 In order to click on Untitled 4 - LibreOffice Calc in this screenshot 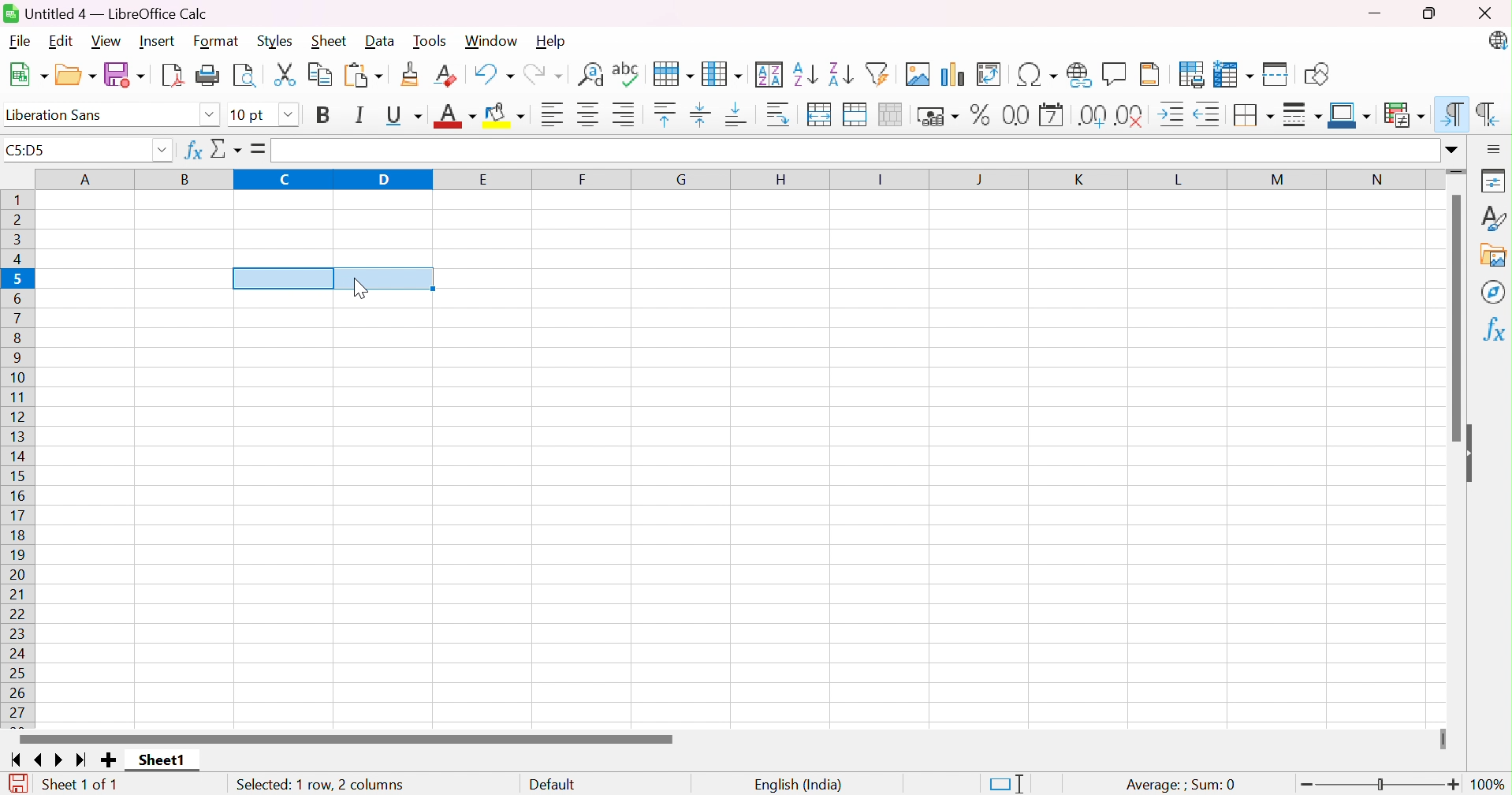, I will do `click(106, 13)`.